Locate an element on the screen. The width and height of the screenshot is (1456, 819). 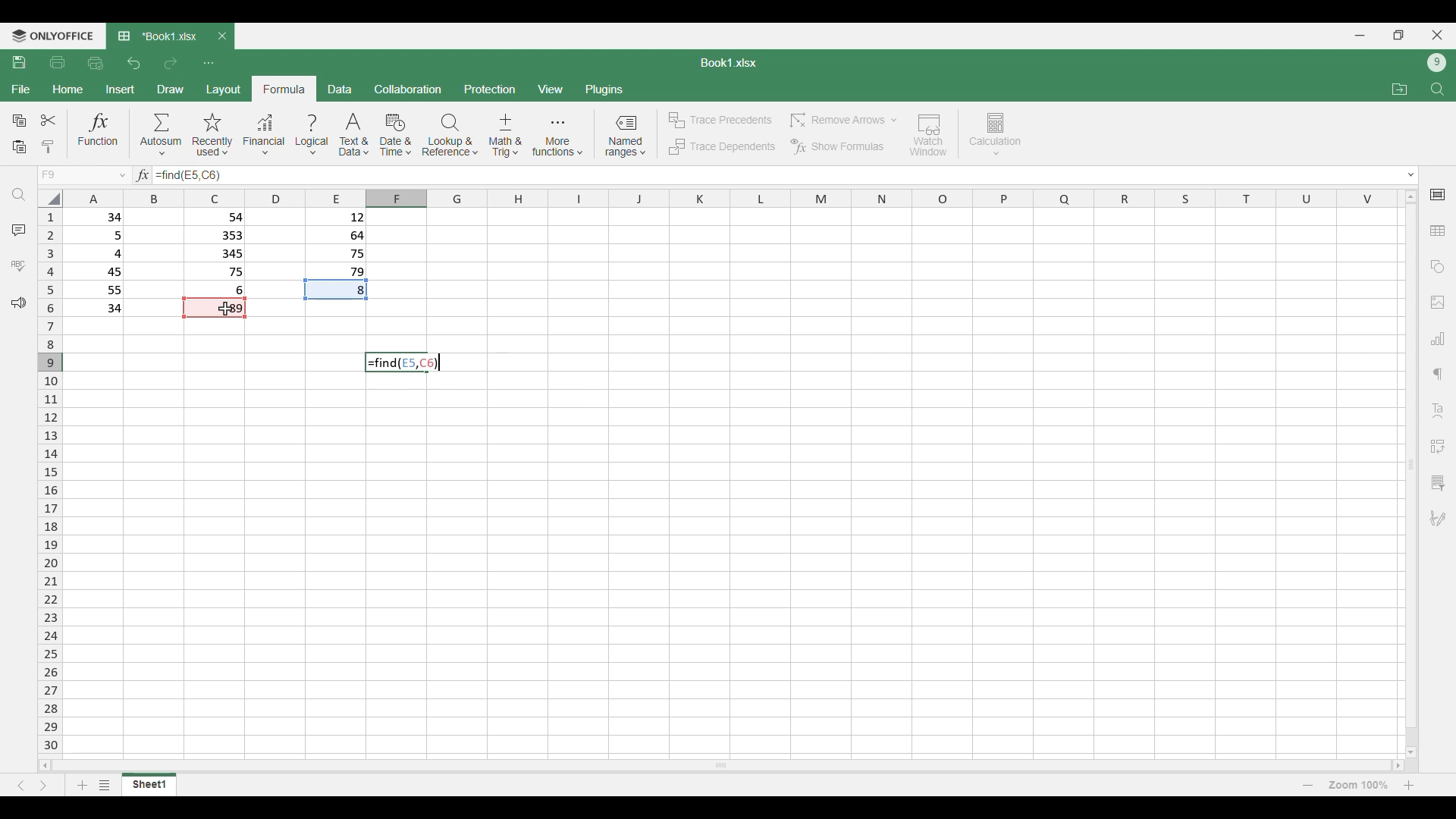
Indicates text box for equations  is located at coordinates (141, 175).